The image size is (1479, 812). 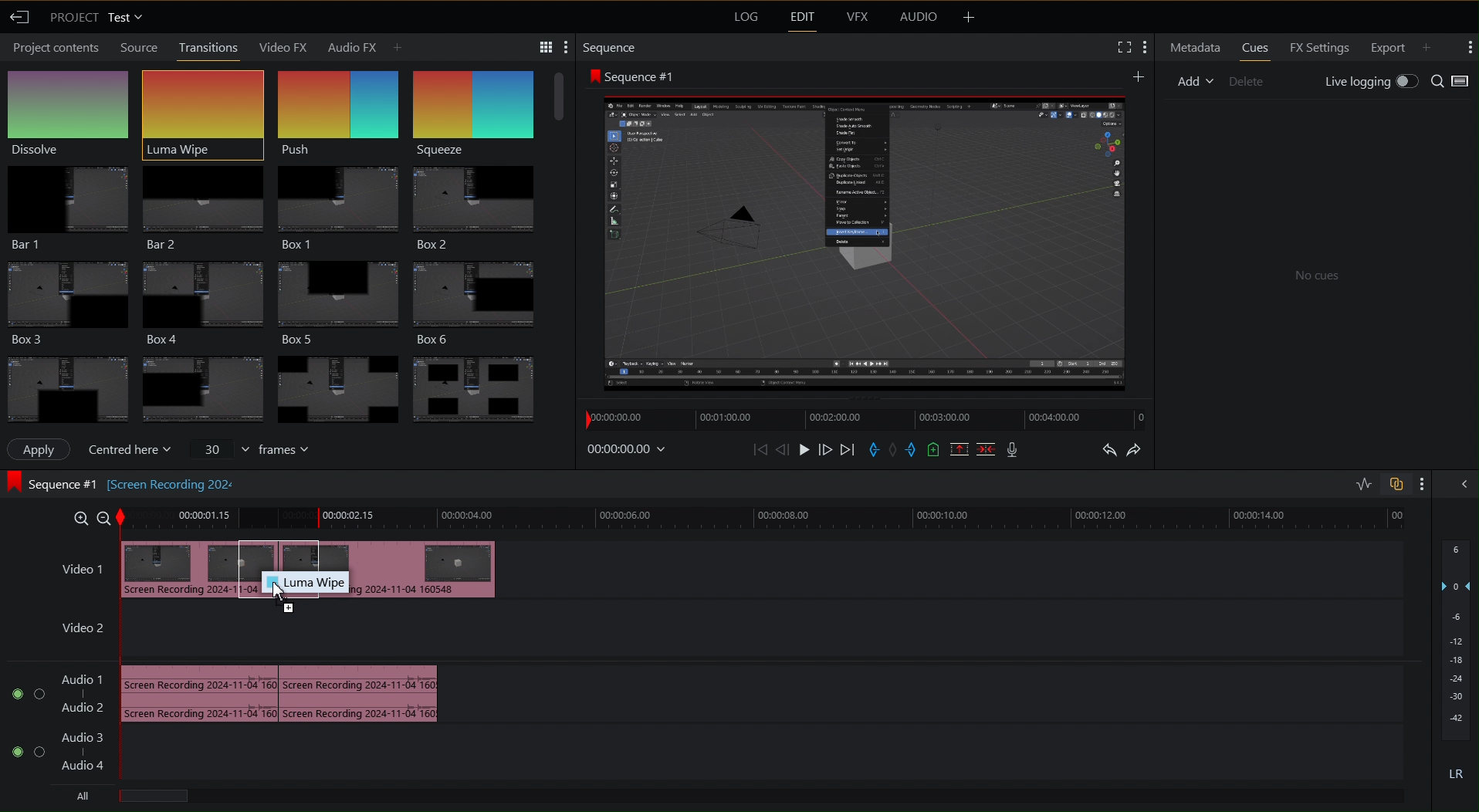 I want to click on Timeline, so click(x=863, y=419).